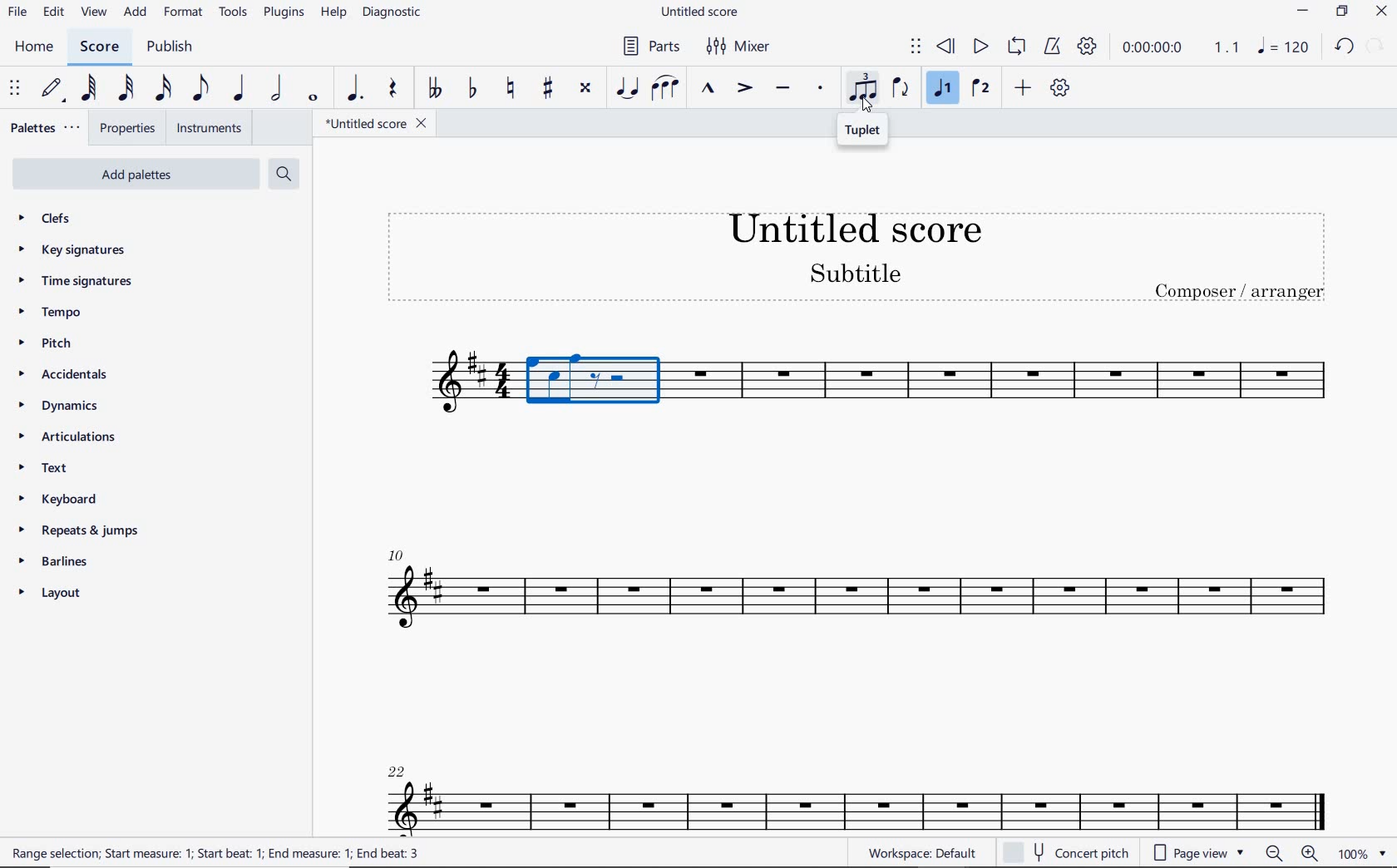  Describe the element at coordinates (982, 89) in the screenshot. I see `VOICE 2` at that location.